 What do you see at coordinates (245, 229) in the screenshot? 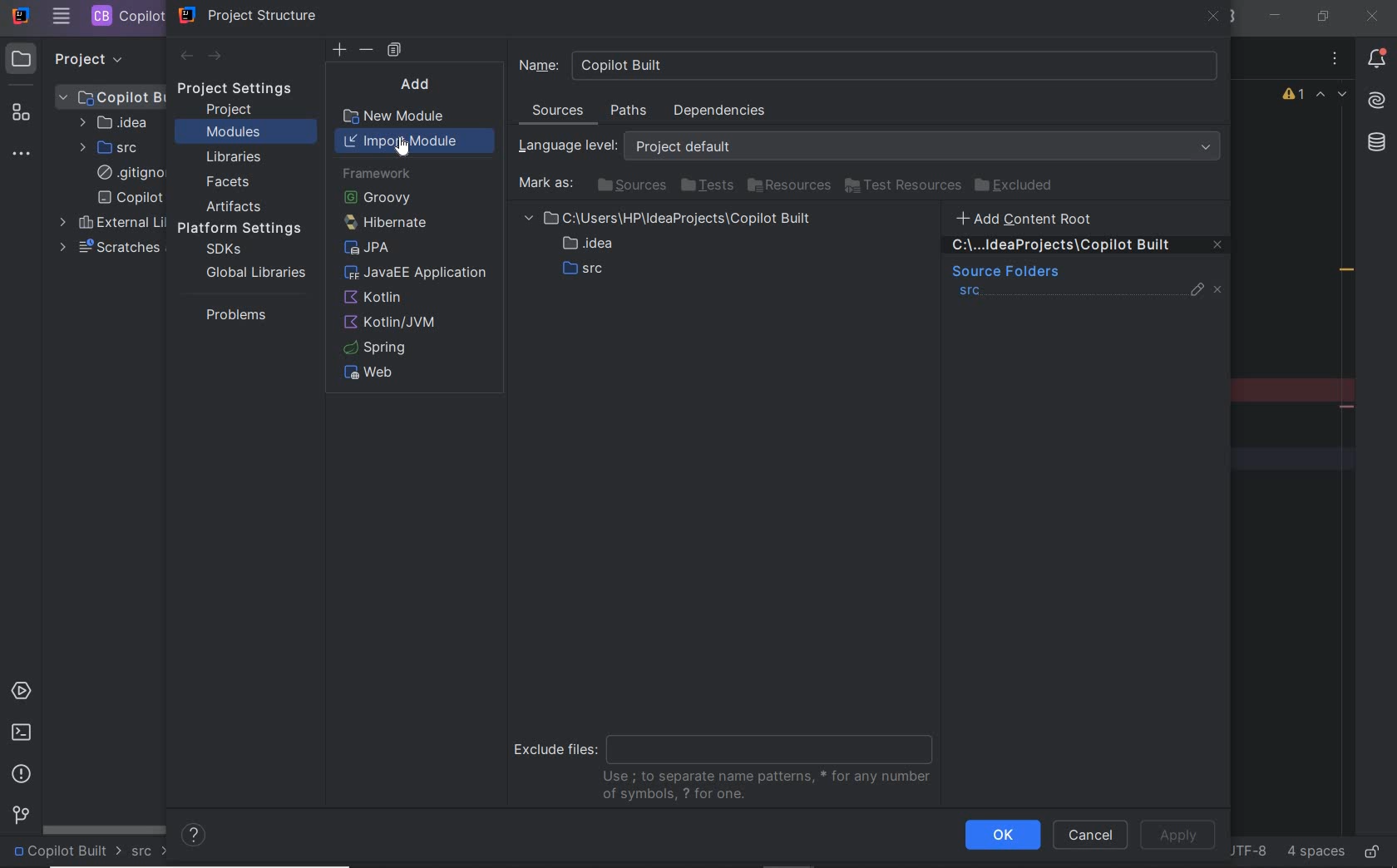
I see `platform settings` at bounding box center [245, 229].